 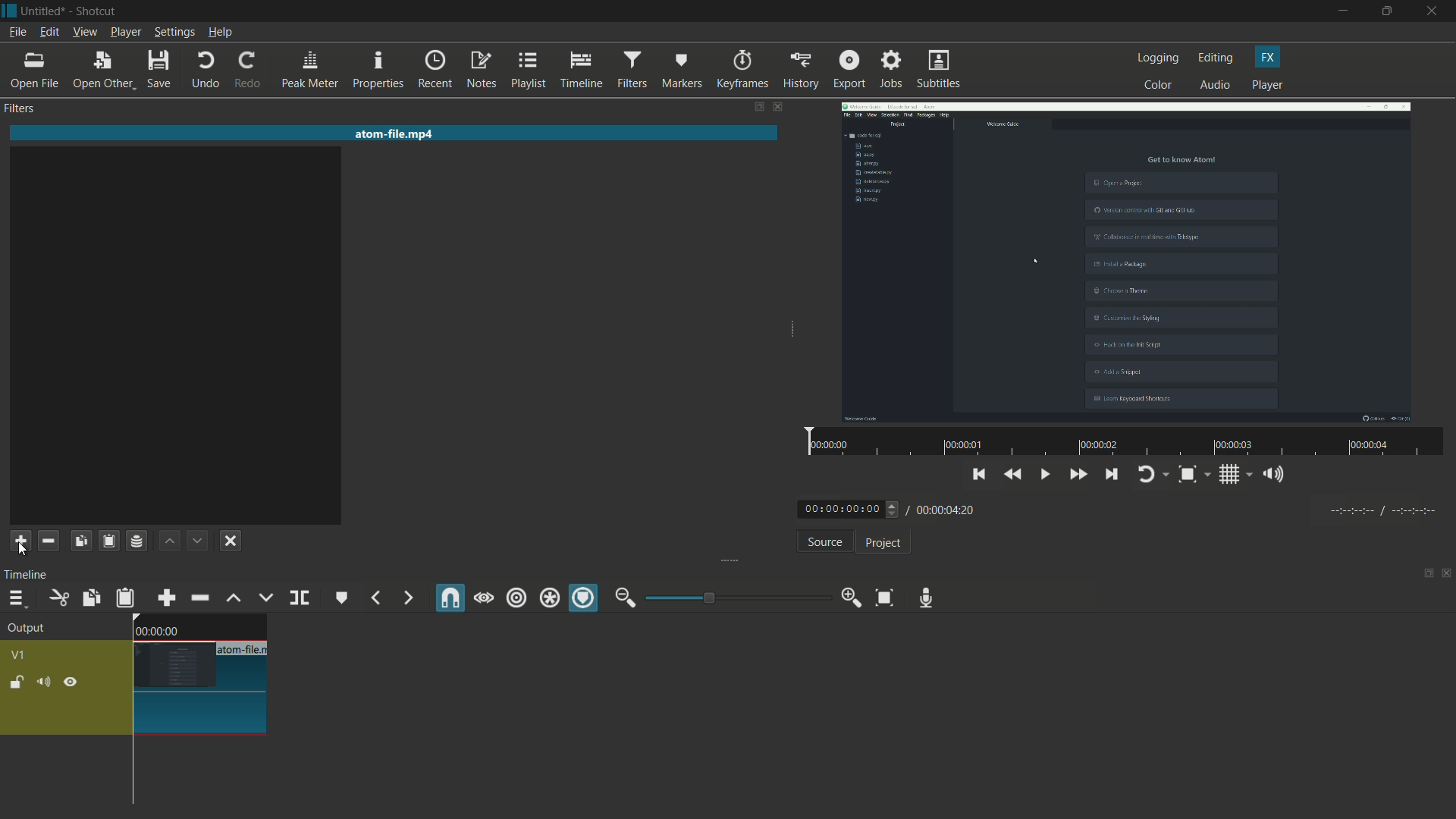 I want to click on zoom bar, so click(x=732, y=597).